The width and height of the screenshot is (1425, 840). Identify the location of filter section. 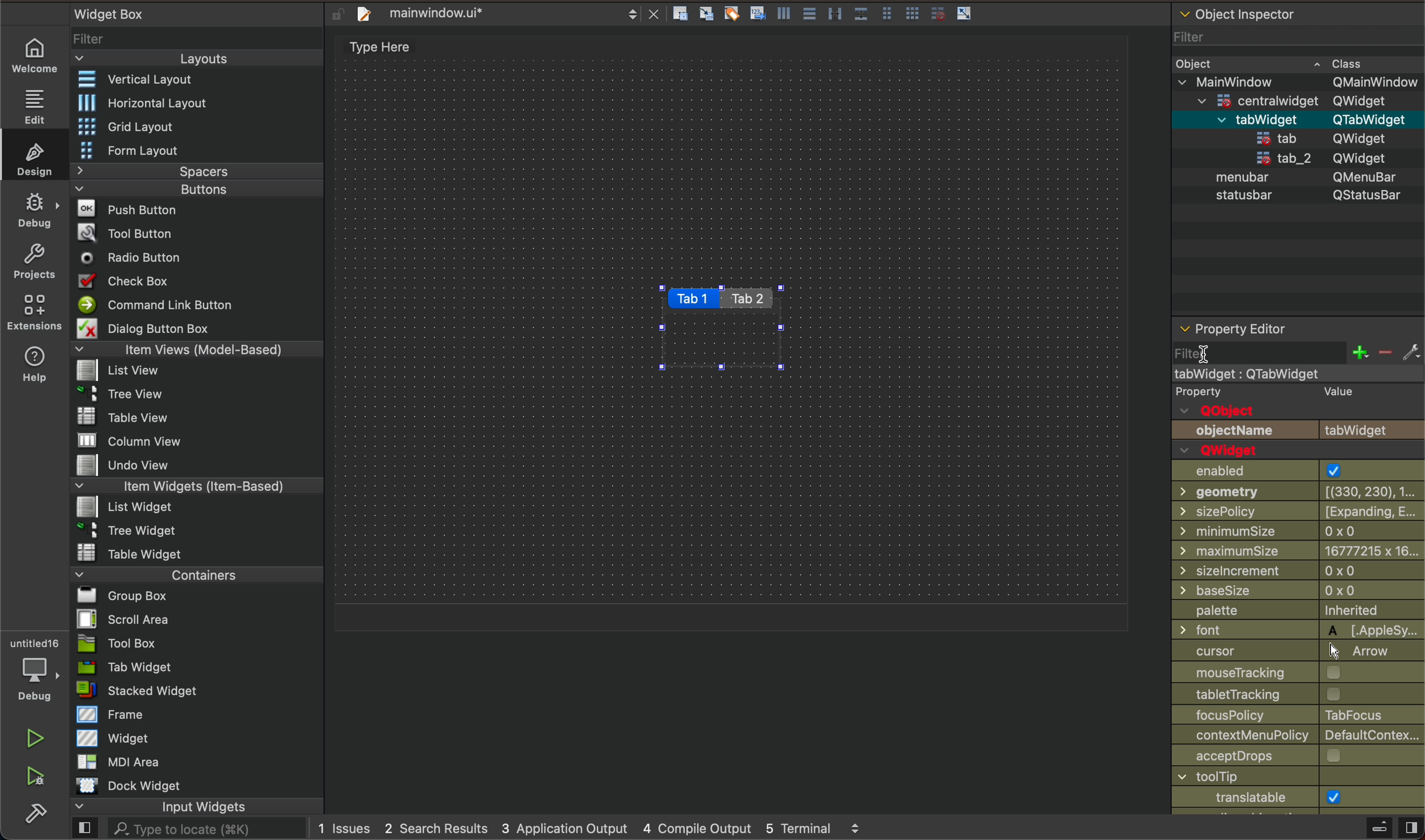
(1299, 352).